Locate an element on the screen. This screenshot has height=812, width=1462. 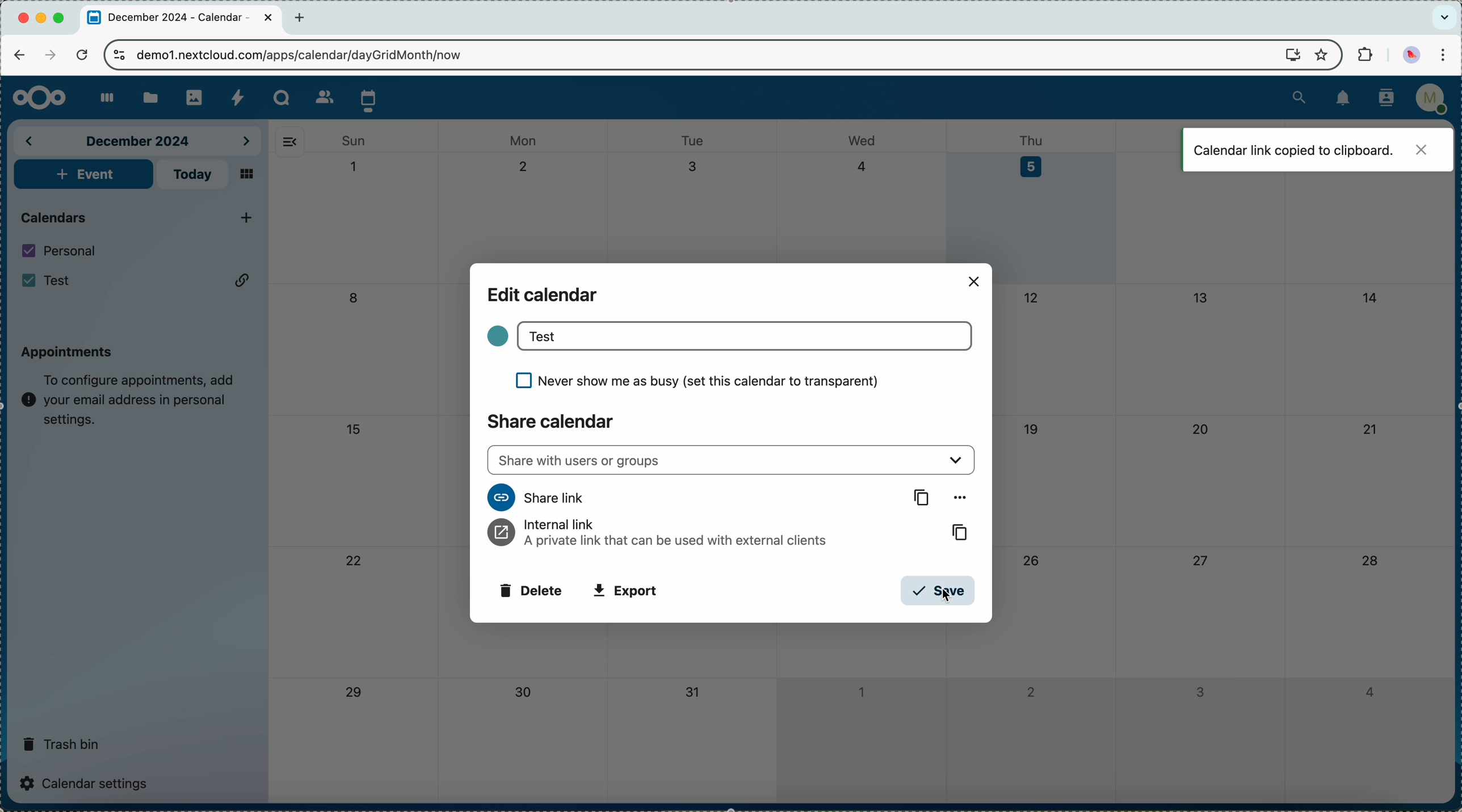
copy is located at coordinates (954, 532).